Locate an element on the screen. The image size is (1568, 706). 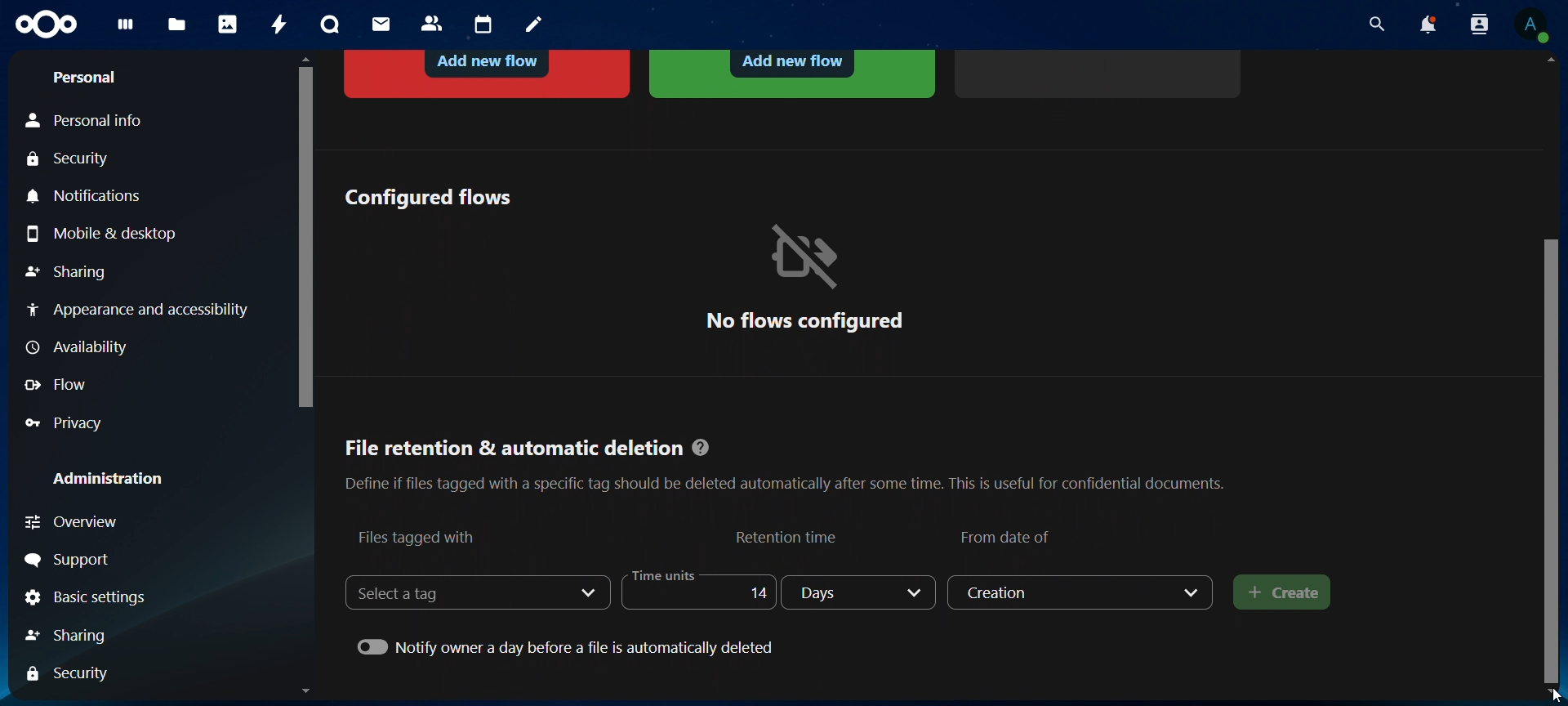
configured flows is located at coordinates (427, 197).